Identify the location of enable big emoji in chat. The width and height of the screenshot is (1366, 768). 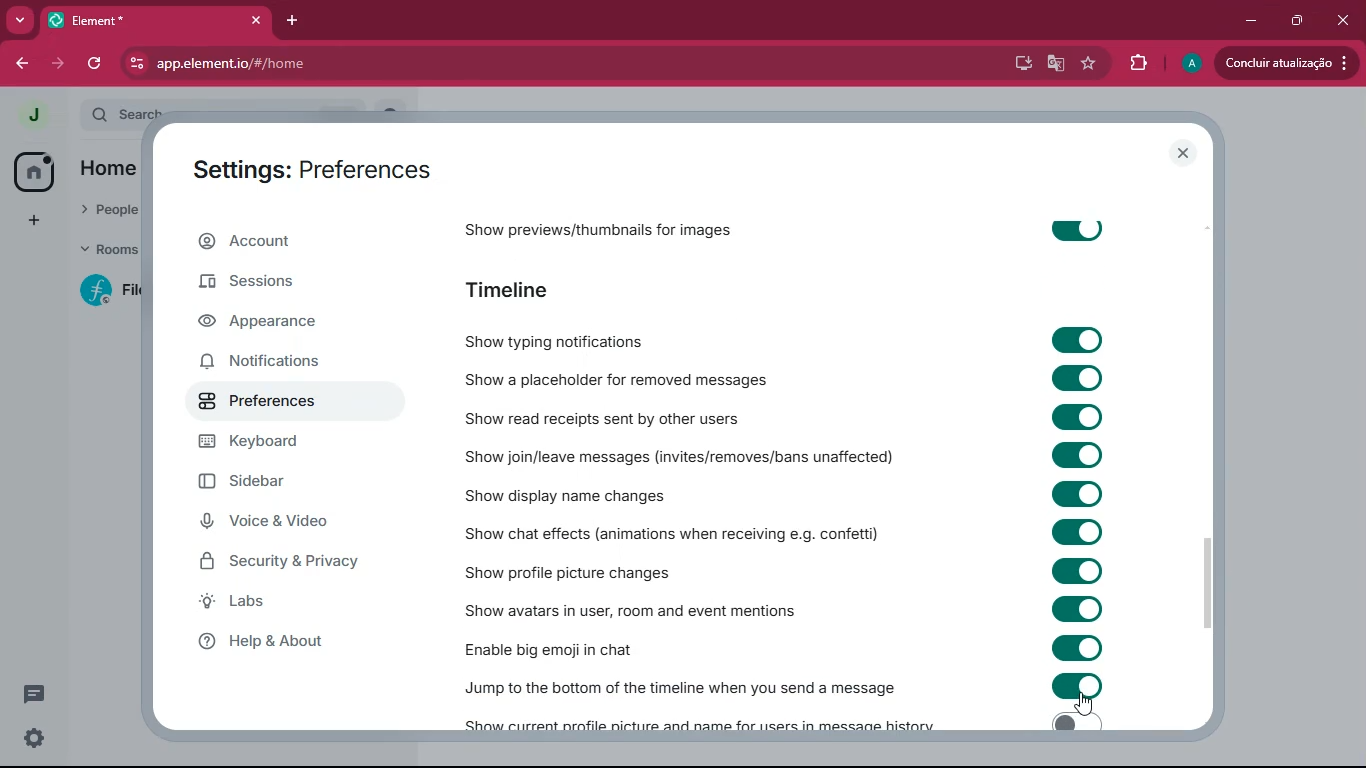
(565, 645).